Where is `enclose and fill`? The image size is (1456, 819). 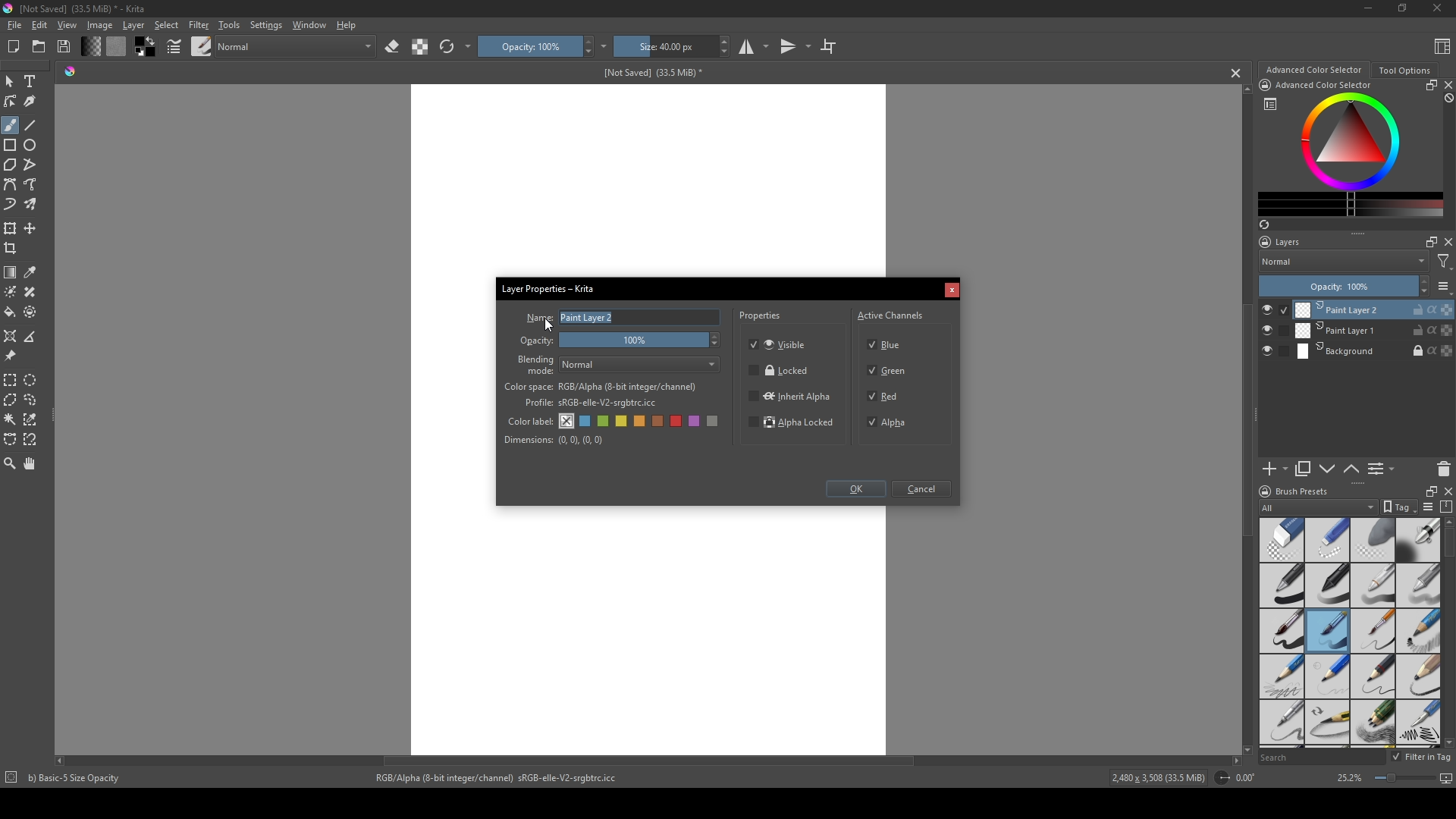 enclose and fill is located at coordinates (32, 312).